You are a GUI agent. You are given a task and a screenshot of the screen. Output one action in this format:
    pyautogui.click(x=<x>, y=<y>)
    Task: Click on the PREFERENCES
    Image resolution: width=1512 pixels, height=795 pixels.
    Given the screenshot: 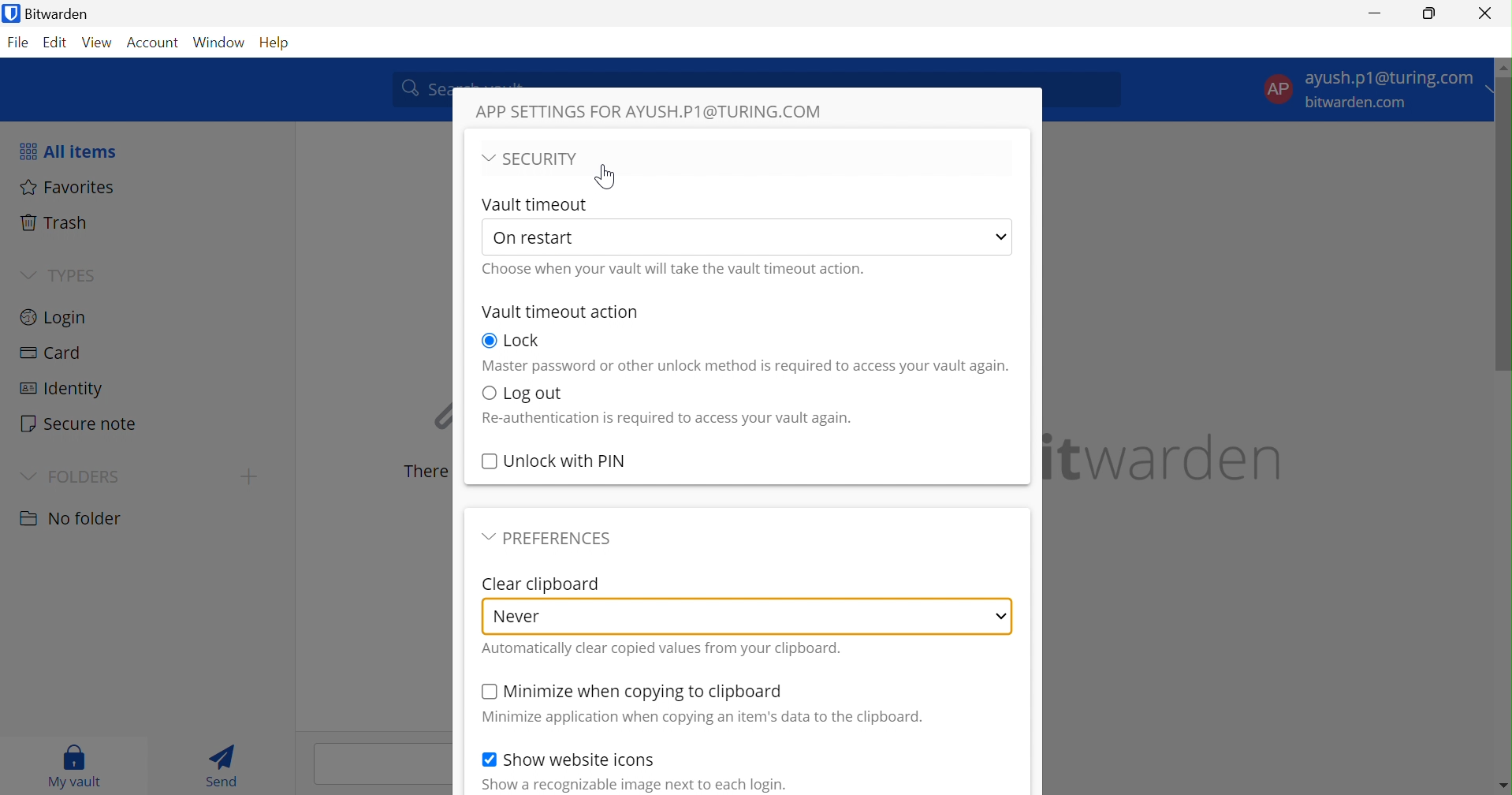 What is the action you would take?
    pyautogui.click(x=562, y=536)
    